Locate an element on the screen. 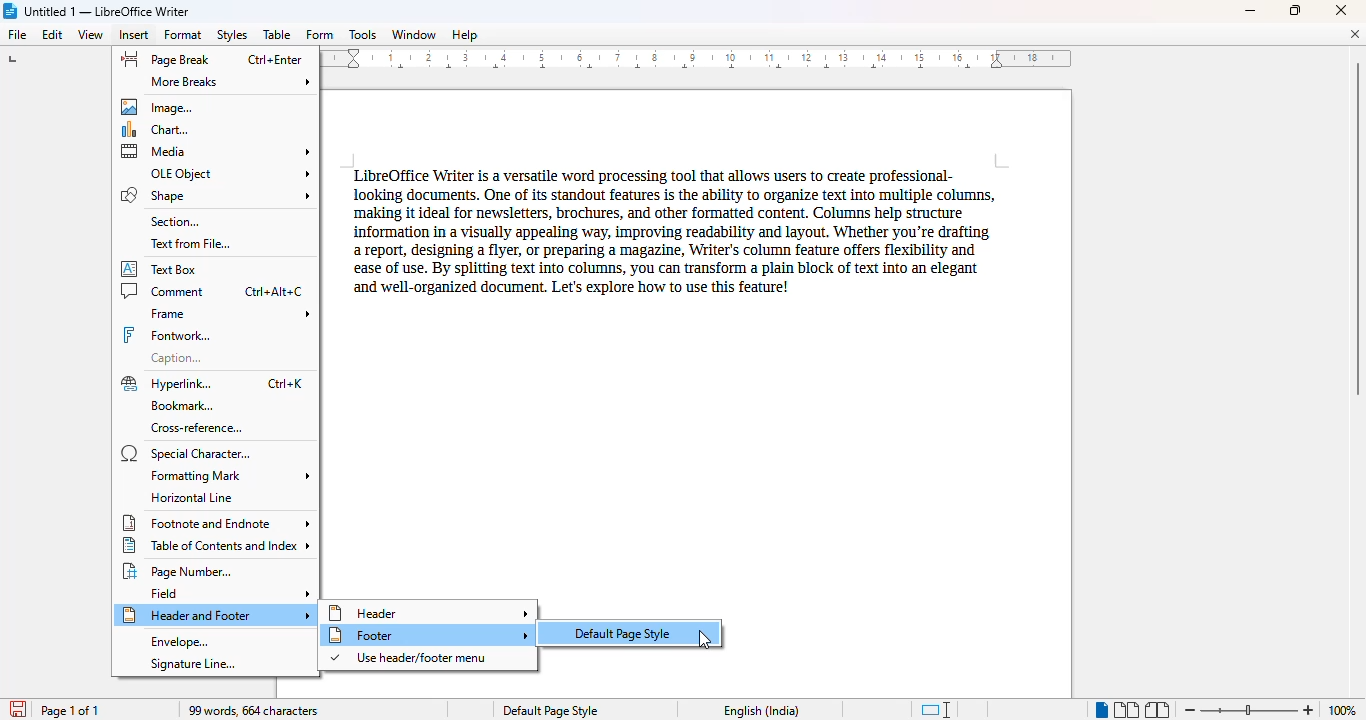 The width and height of the screenshot is (1366, 720). horizontal line is located at coordinates (193, 497).